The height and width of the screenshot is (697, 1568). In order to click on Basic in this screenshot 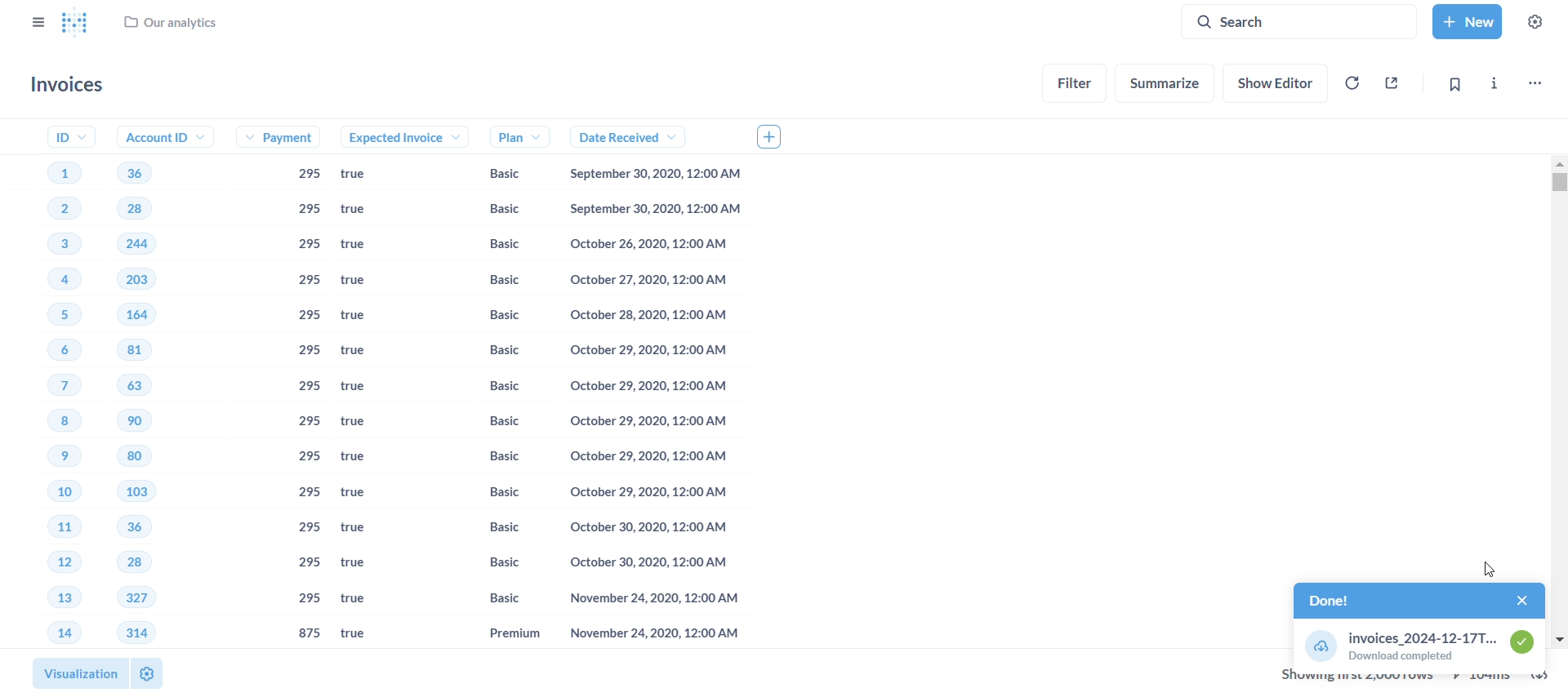, I will do `click(497, 420)`.